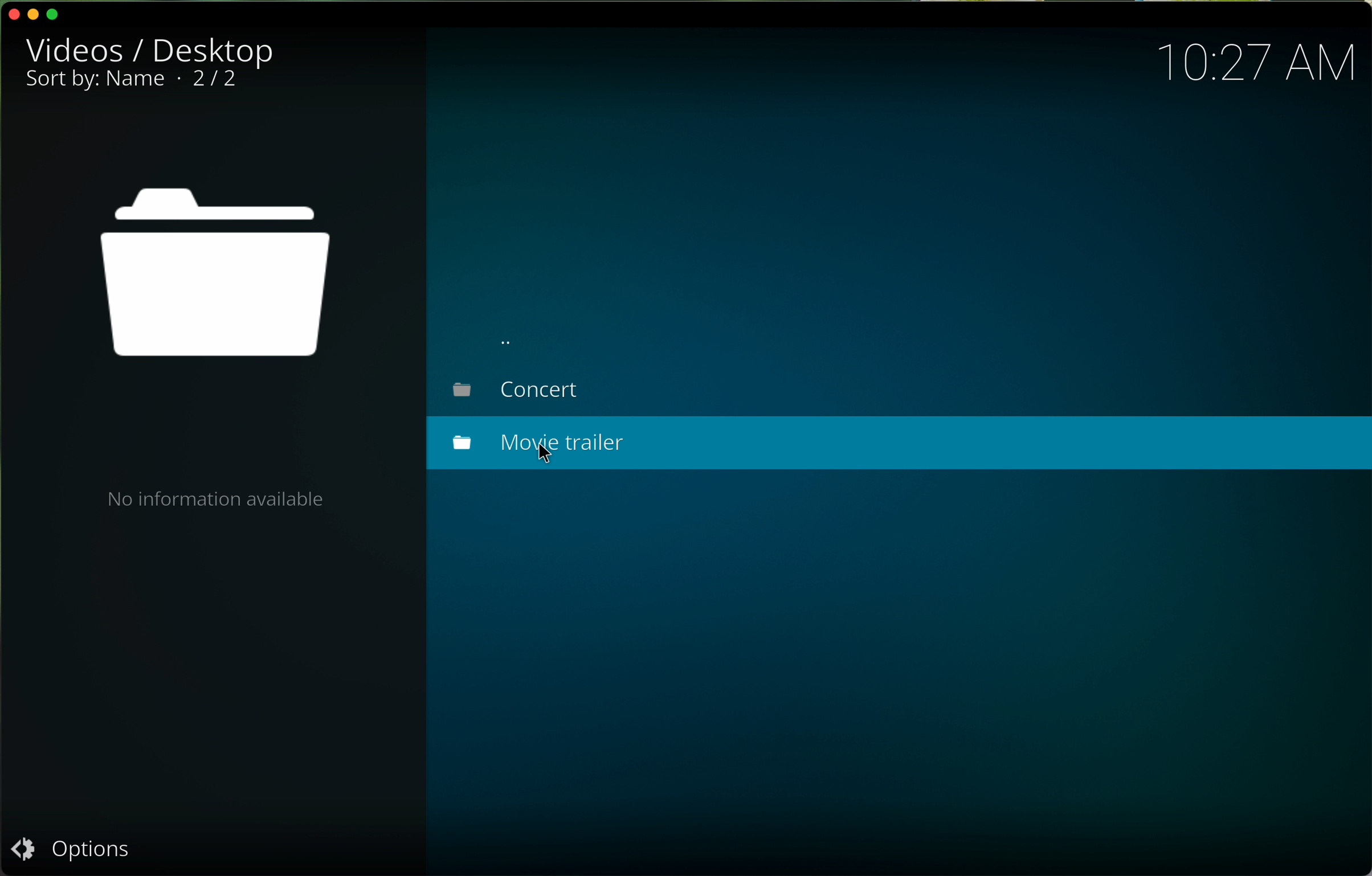 Image resolution: width=1372 pixels, height=876 pixels. I want to click on Options, so click(83, 850).